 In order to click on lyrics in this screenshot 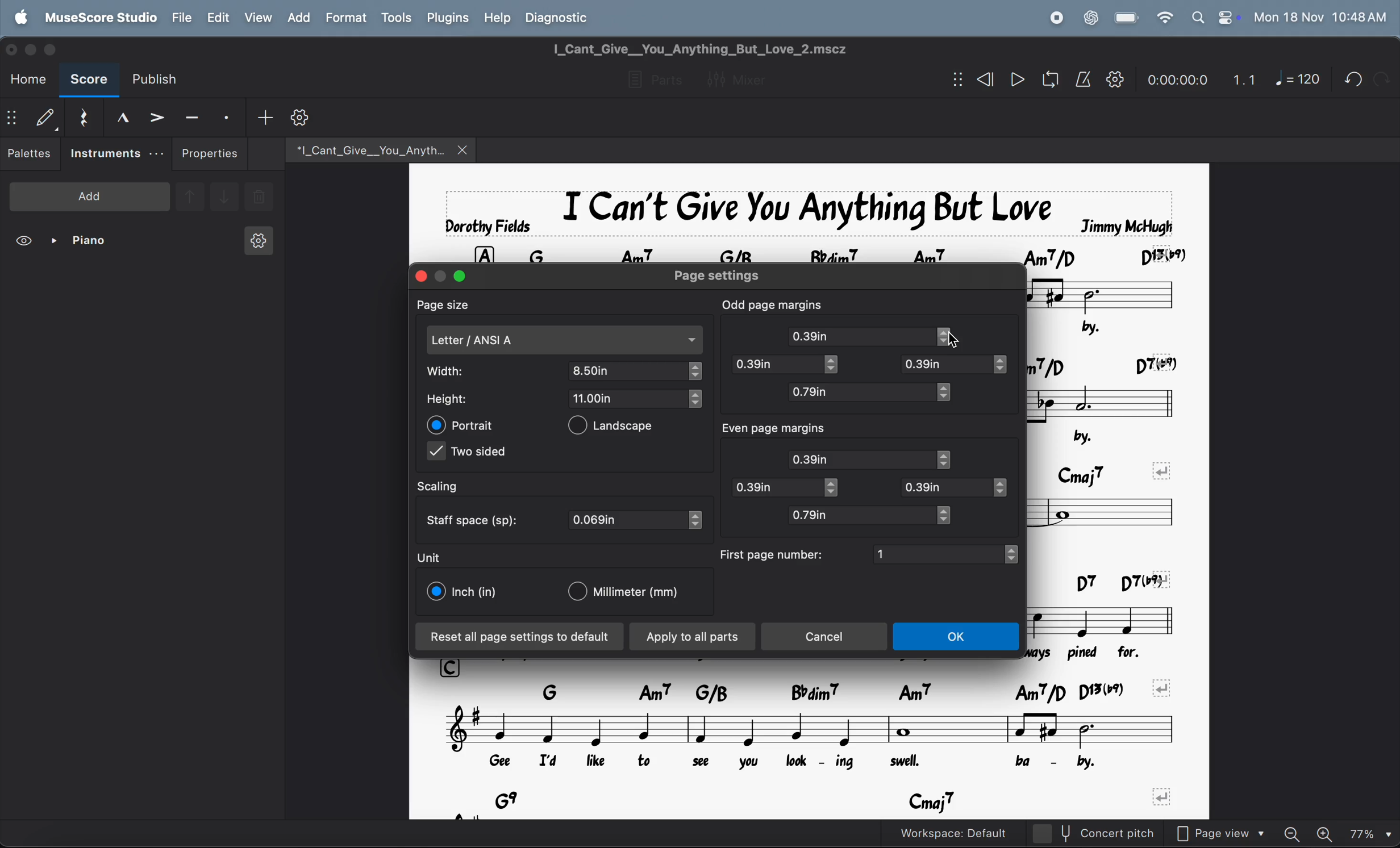, I will do `click(1088, 437)`.